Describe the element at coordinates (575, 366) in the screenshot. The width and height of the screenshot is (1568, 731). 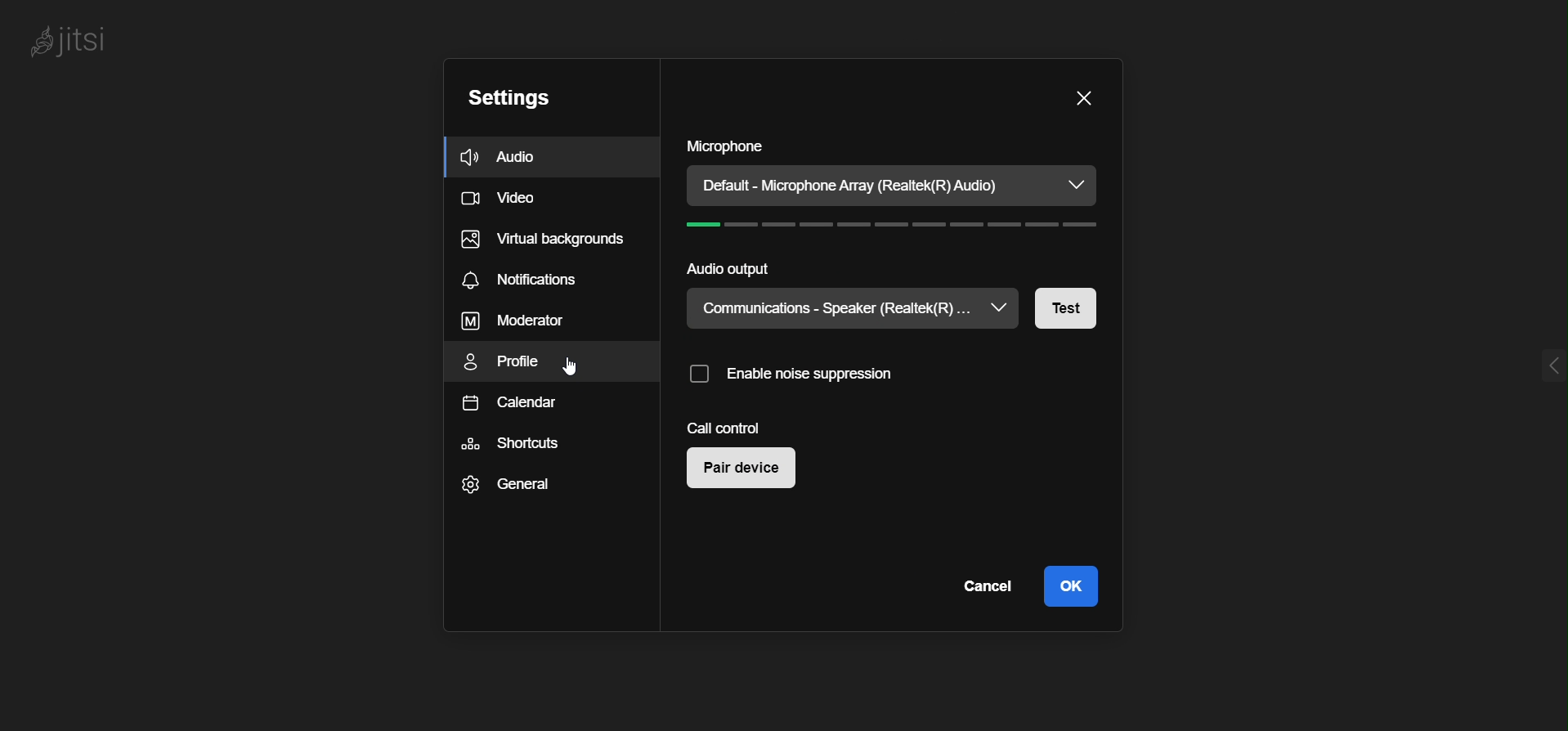
I see `cursor` at that location.